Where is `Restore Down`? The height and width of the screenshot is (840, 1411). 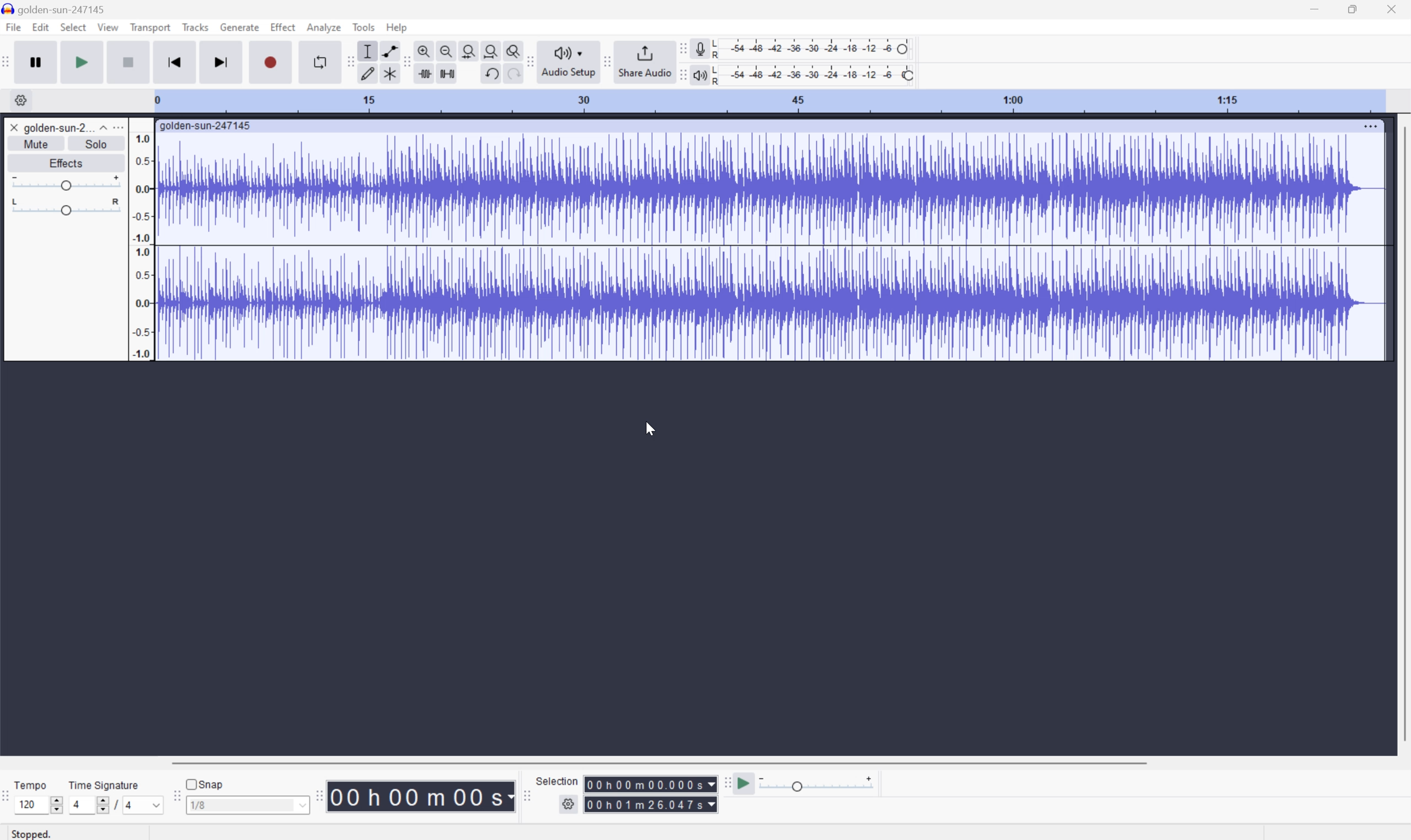 Restore Down is located at coordinates (1352, 10).